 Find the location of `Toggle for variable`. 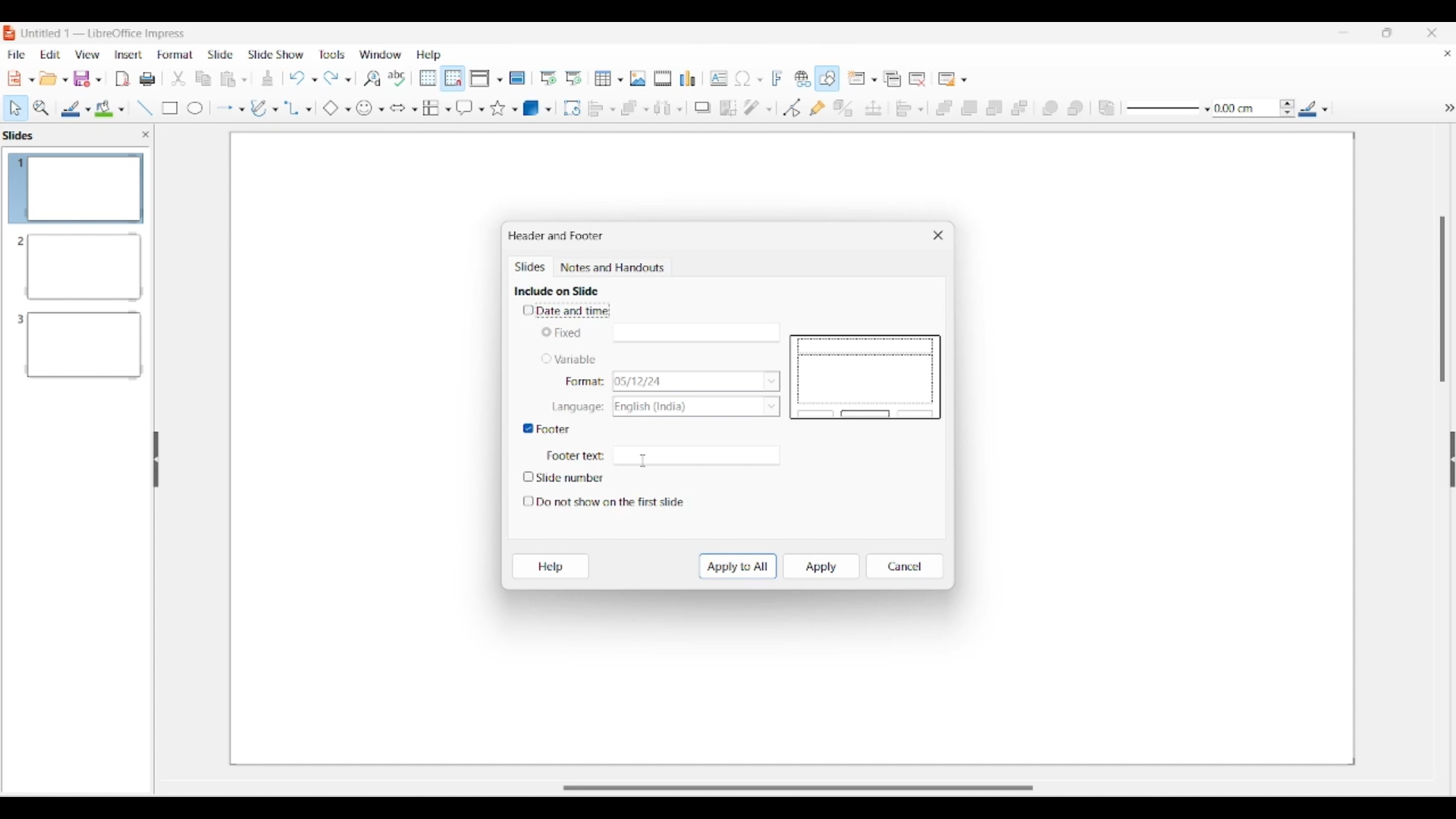

Toggle for variable is located at coordinates (567, 358).